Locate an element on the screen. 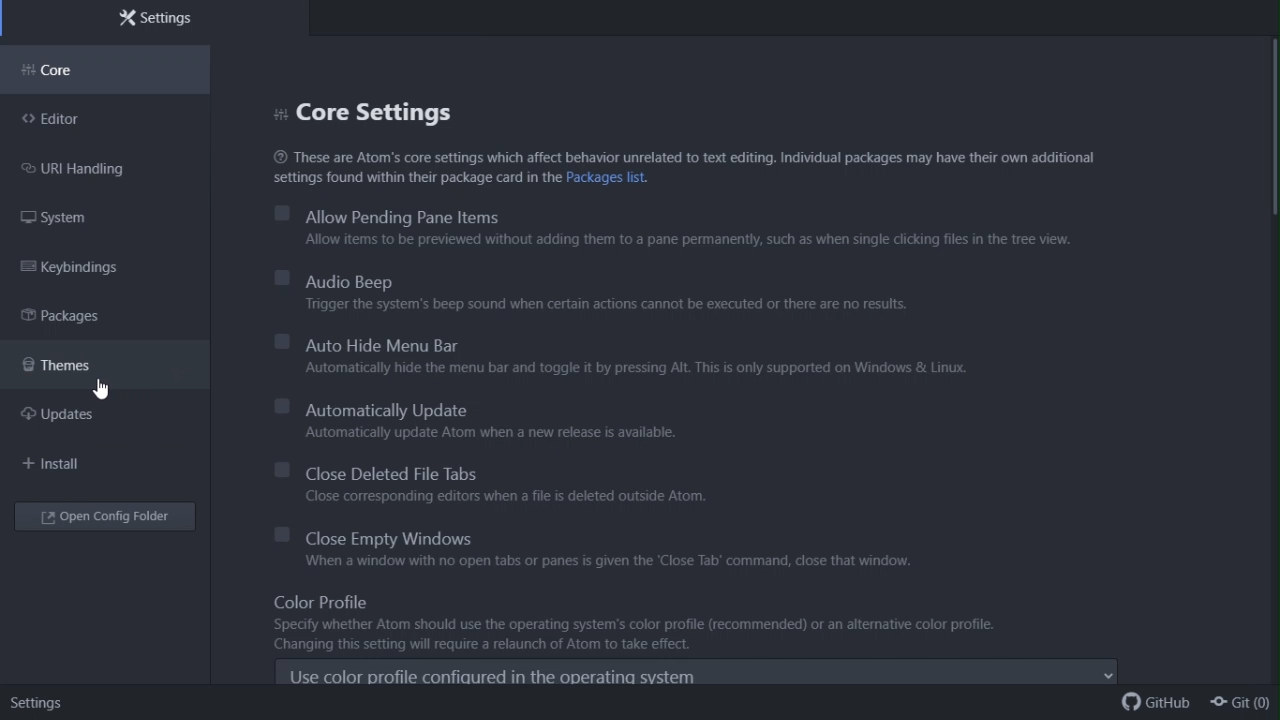 Image resolution: width=1280 pixels, height=720 pixels. settings found within their package card in the is located at coordinates (415, 178).